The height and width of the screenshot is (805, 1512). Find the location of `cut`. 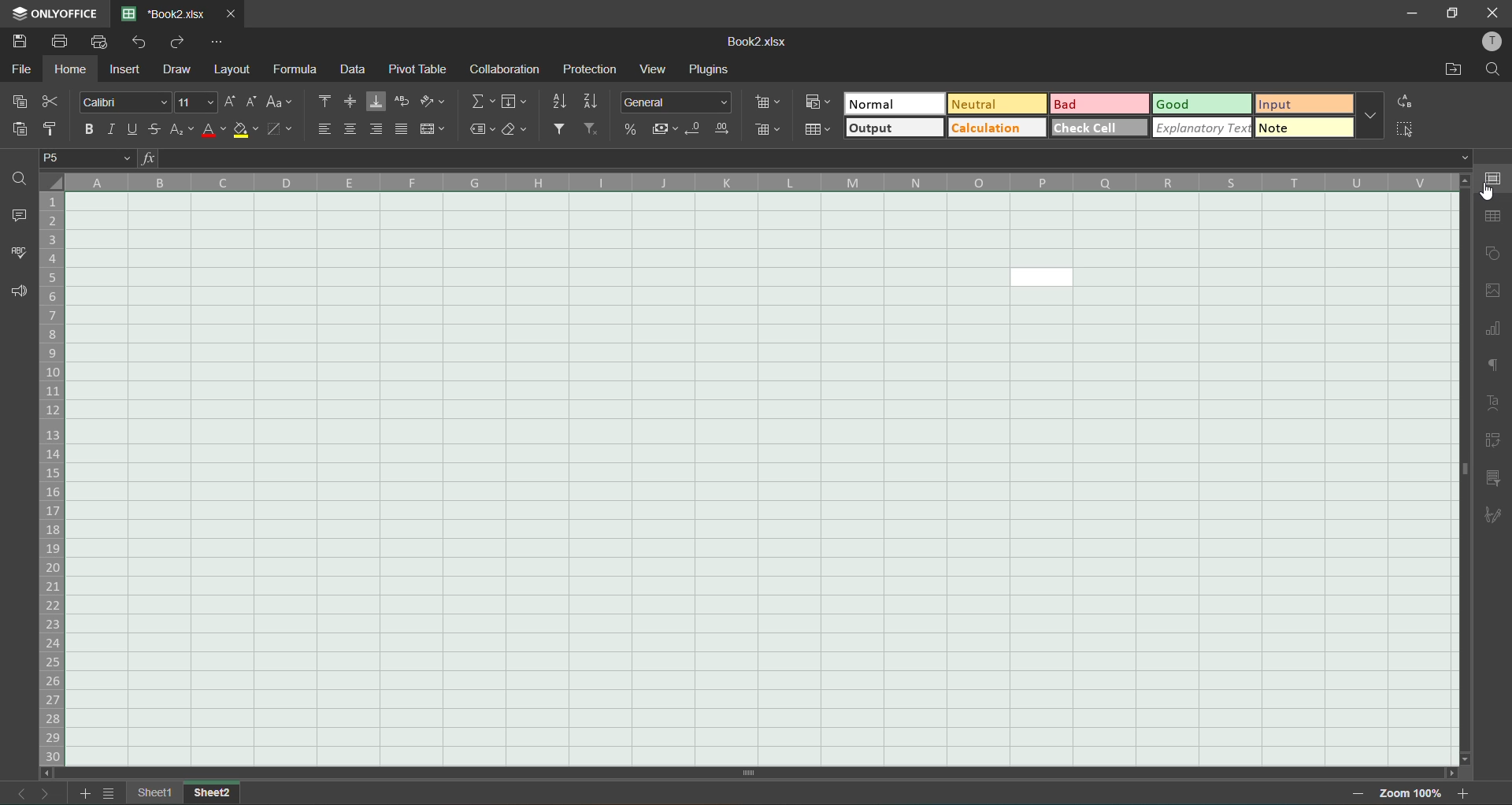

cut is located at coordinates (51, 103).